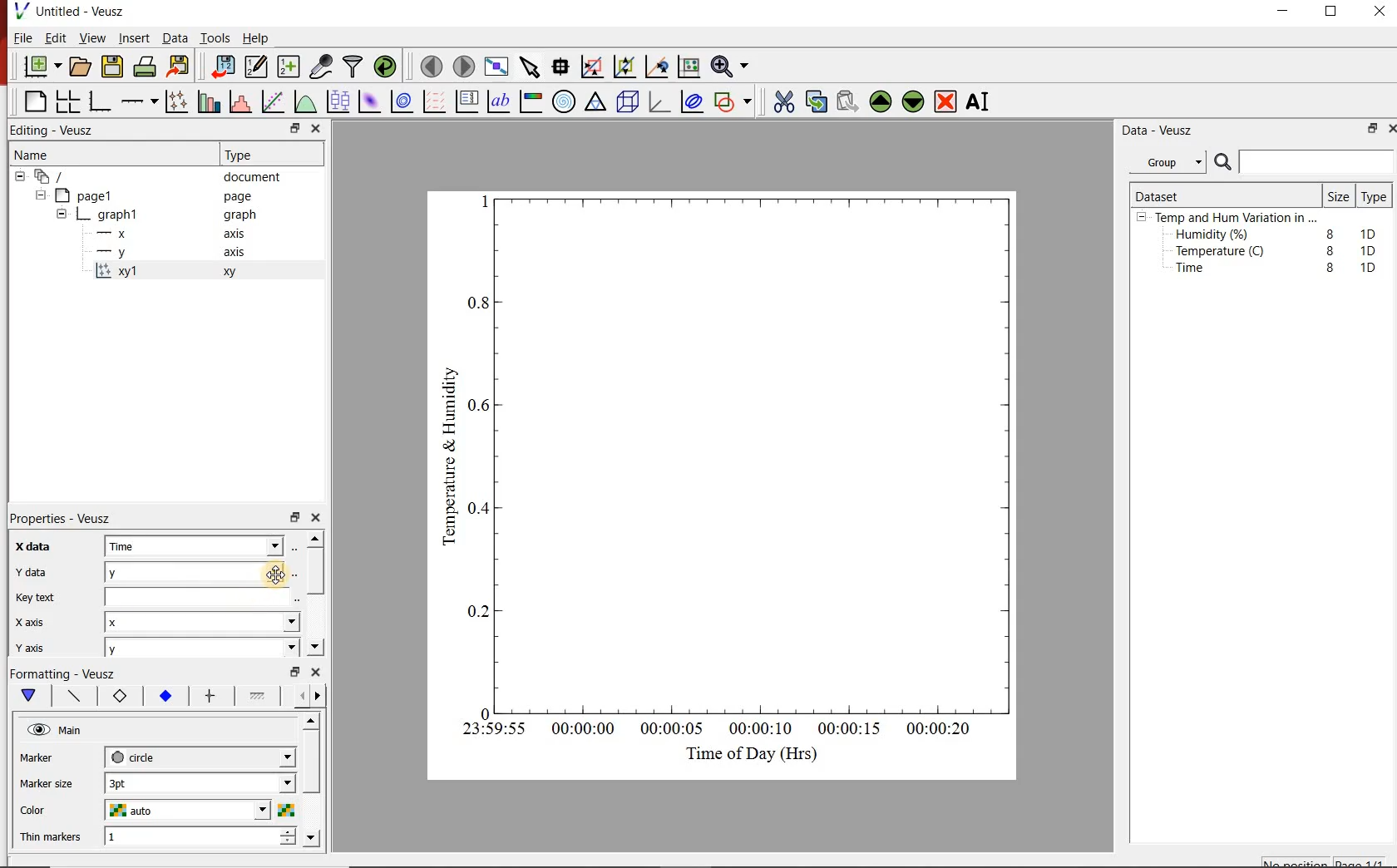 The image size is (1397, 868). Describe the element at coordinates (274, 101) in the screenshot. I see `Fit a function to data` at that location.